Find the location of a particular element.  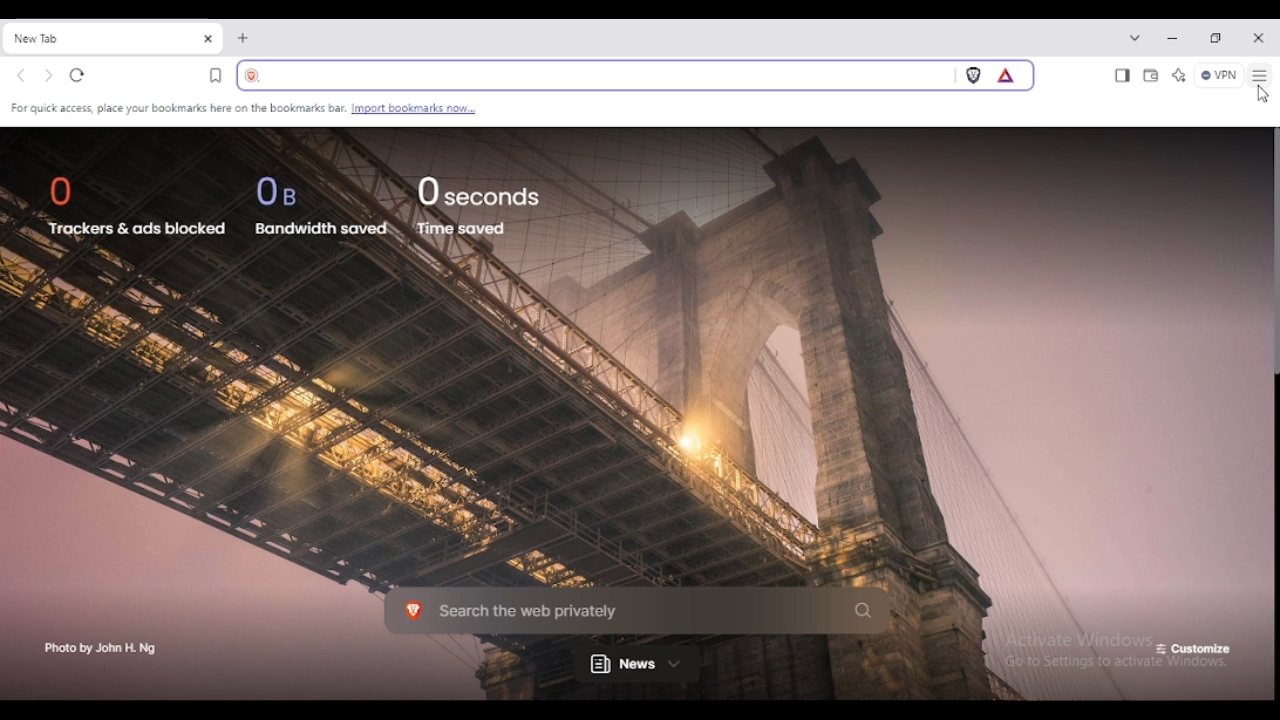

brave shields is located at coordinates (974, 75).